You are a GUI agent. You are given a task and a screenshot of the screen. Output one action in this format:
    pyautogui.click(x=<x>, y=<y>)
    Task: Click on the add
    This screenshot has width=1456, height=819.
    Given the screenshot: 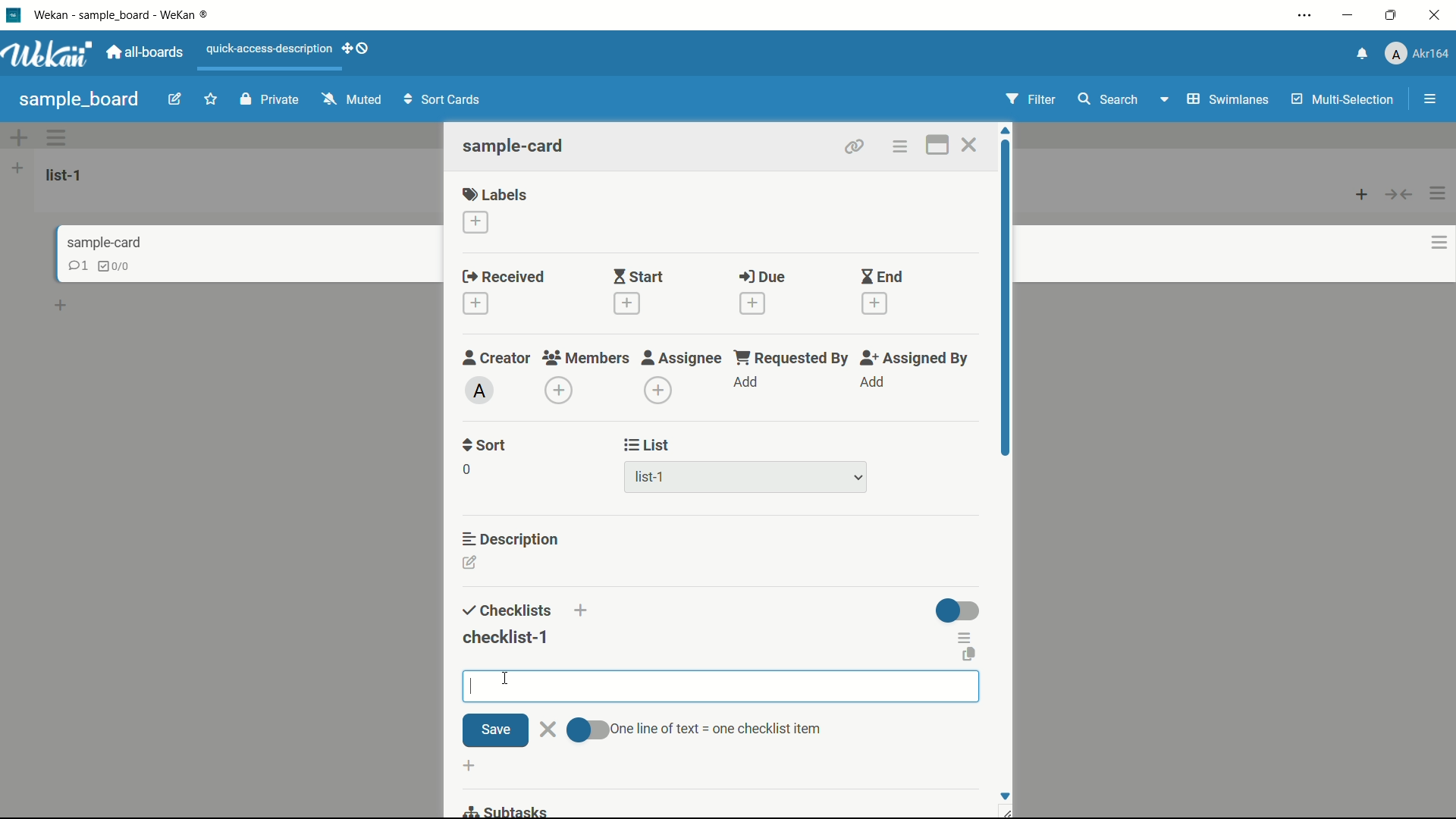 What is the action you would take?
    pyautogui.click(x=472, y=764)
    